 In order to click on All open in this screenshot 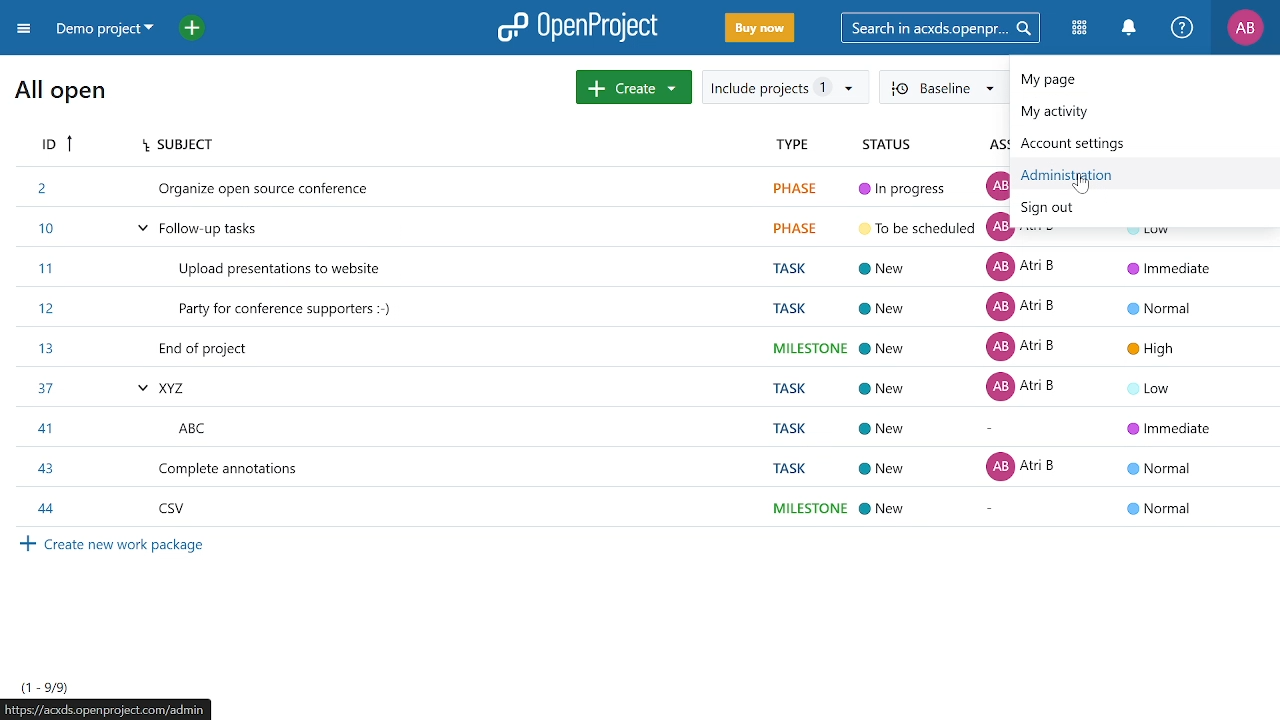, I will do `click(60, 97)`.